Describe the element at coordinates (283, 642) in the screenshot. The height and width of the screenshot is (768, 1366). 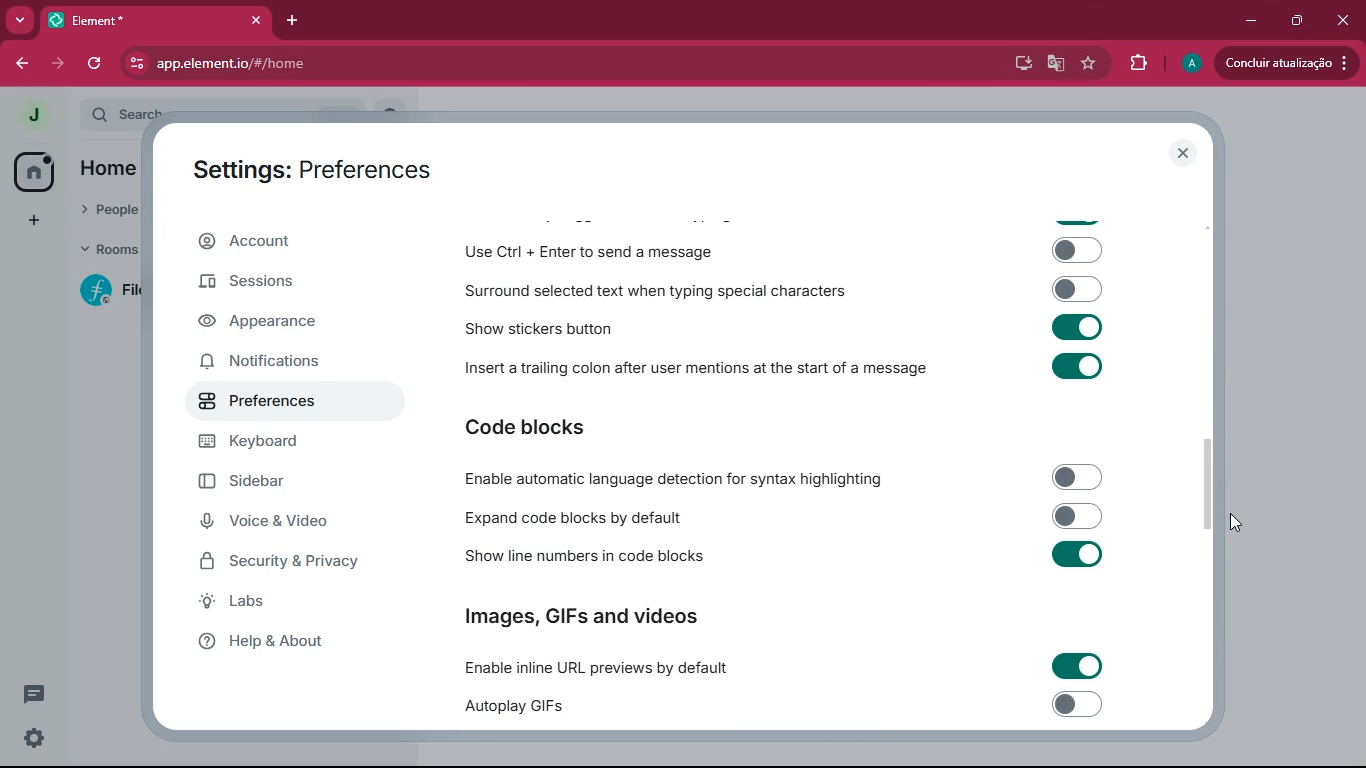
I see `help ` at that location.